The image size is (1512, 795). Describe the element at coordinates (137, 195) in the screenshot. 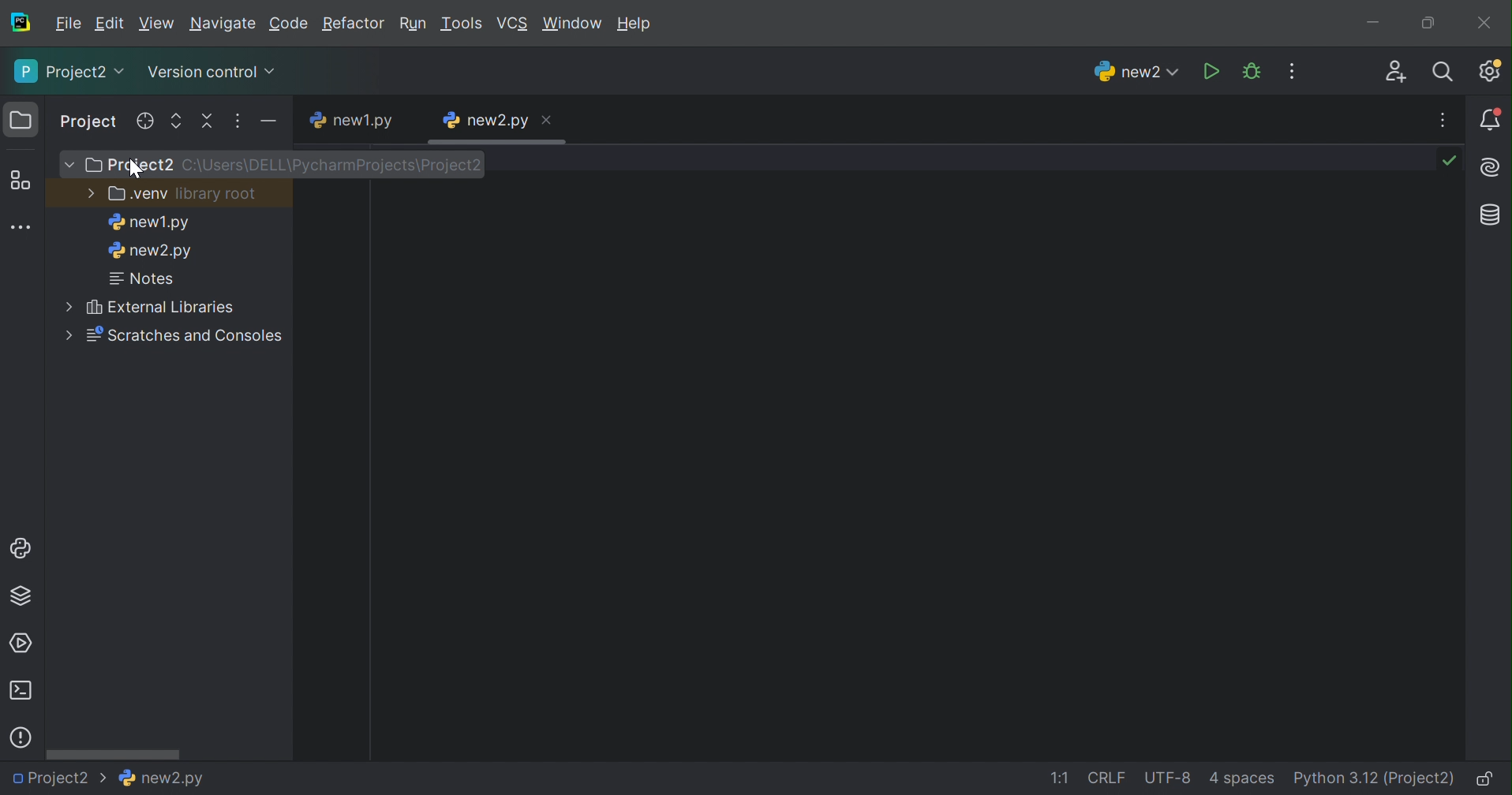

I see `.venv` at that location.